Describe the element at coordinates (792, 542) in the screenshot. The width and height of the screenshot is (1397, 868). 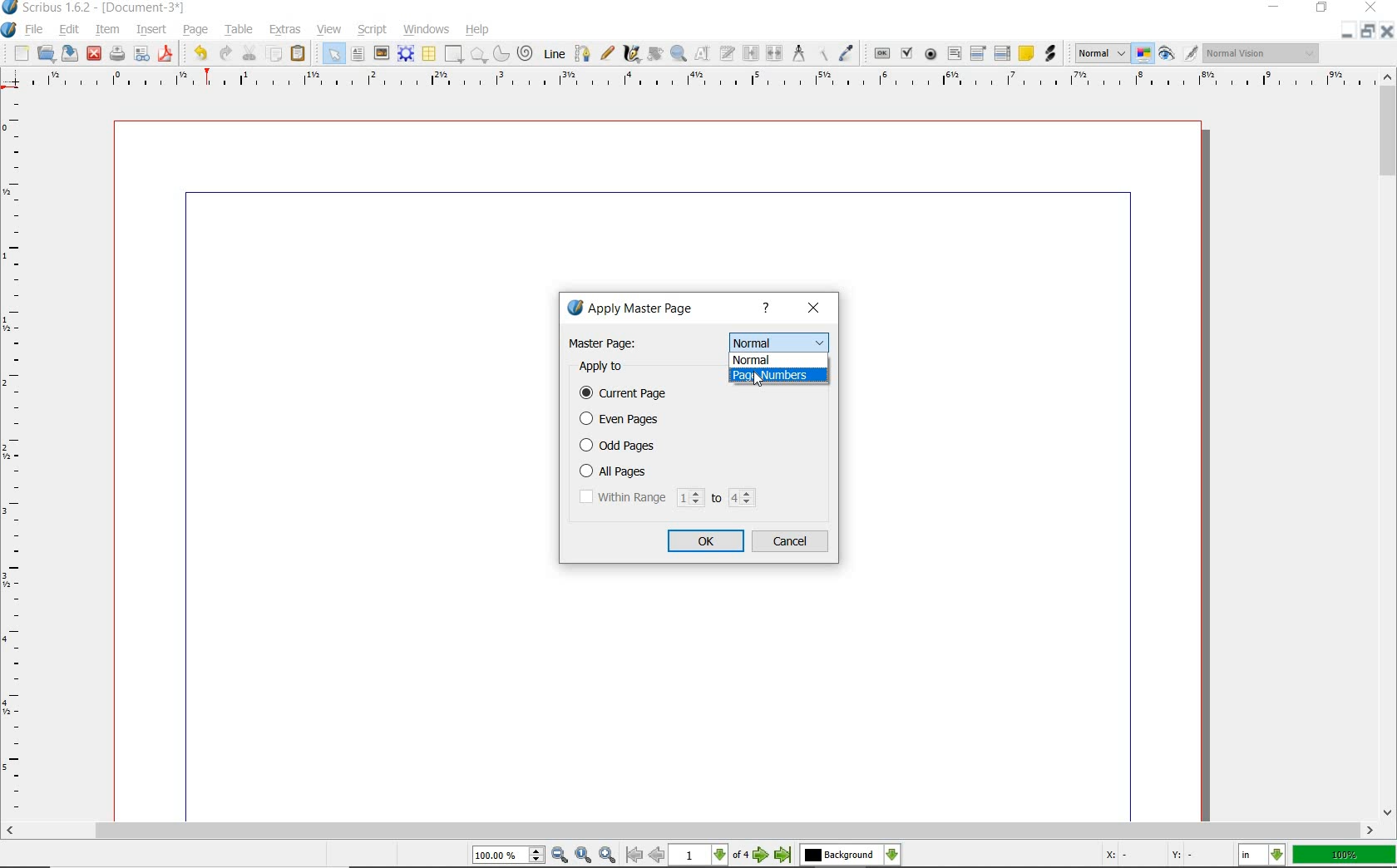
I see `cancel` at that location.